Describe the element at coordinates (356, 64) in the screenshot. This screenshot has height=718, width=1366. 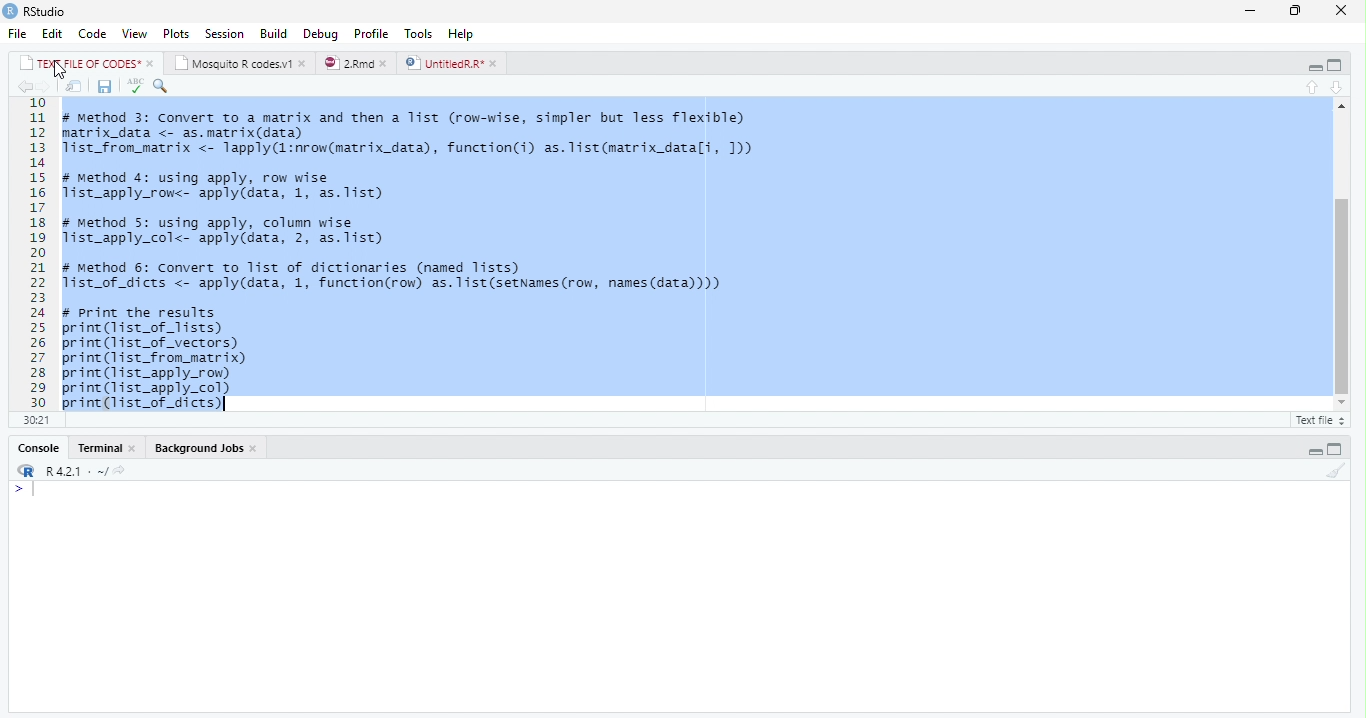
I see `2.Rmd` at that location.